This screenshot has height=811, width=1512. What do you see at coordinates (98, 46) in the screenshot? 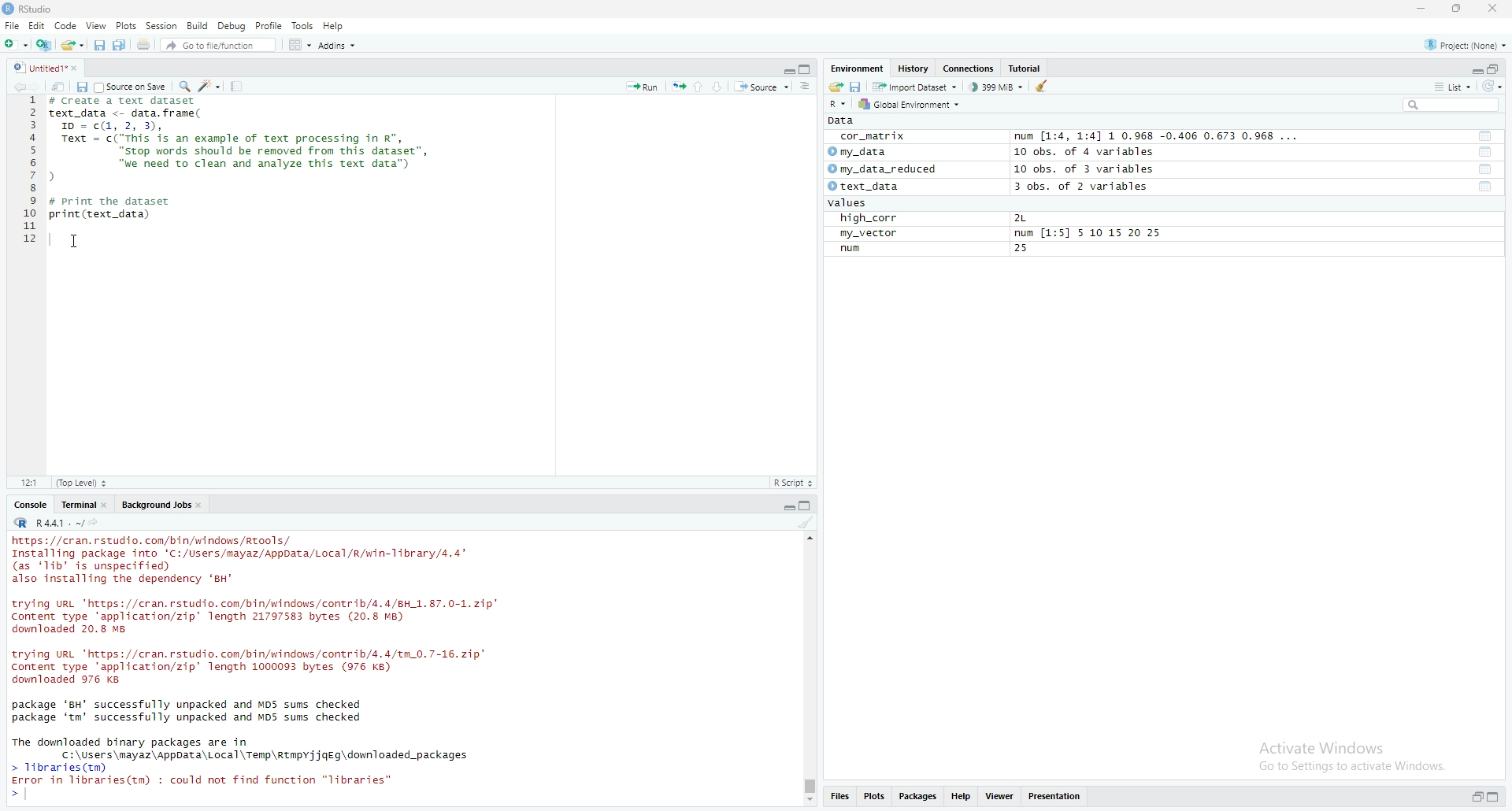
I see `save current document` at bounding box center [98, 46].